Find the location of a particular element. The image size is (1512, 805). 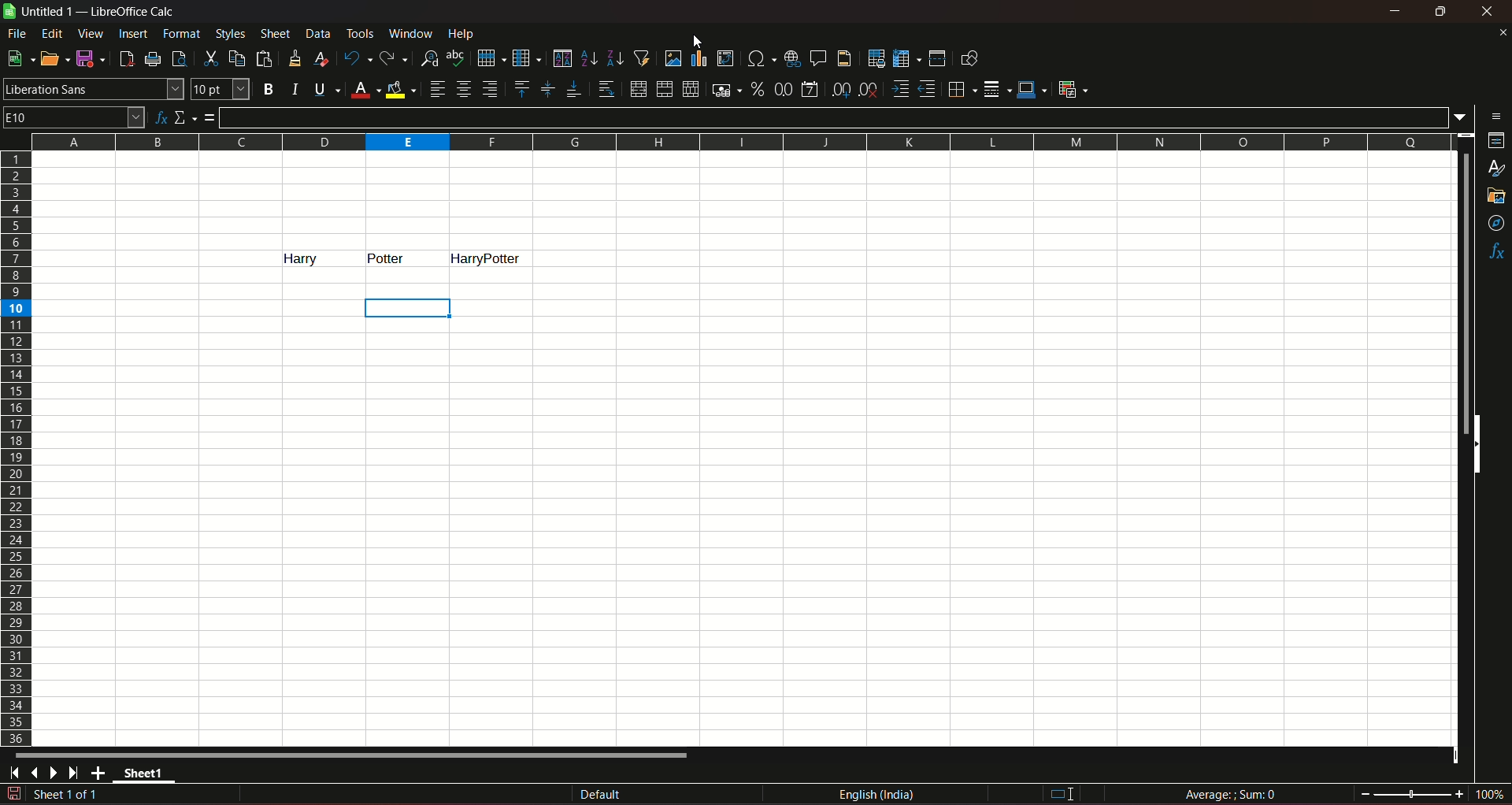

delete decimal place is located at coordinates (868, 91).